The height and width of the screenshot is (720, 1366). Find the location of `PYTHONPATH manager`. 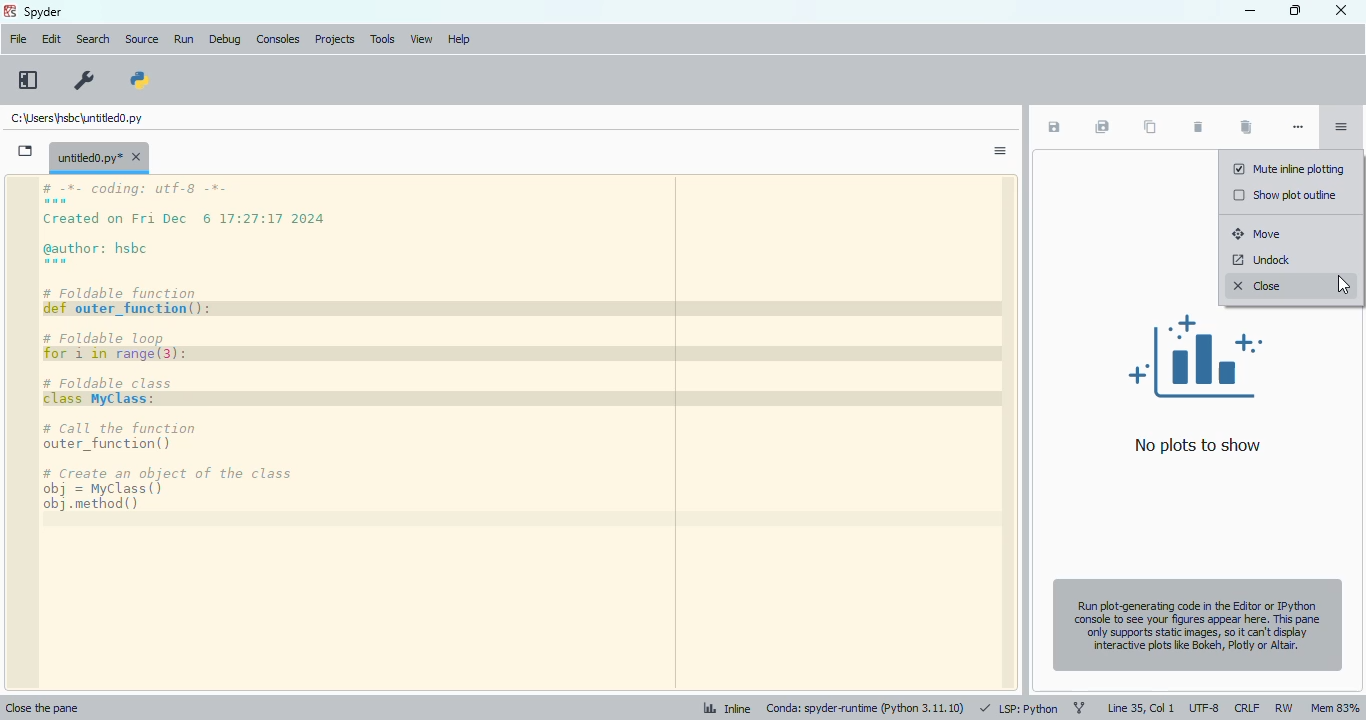

PYTHONPATH manager is located at coordinates (140, 80).